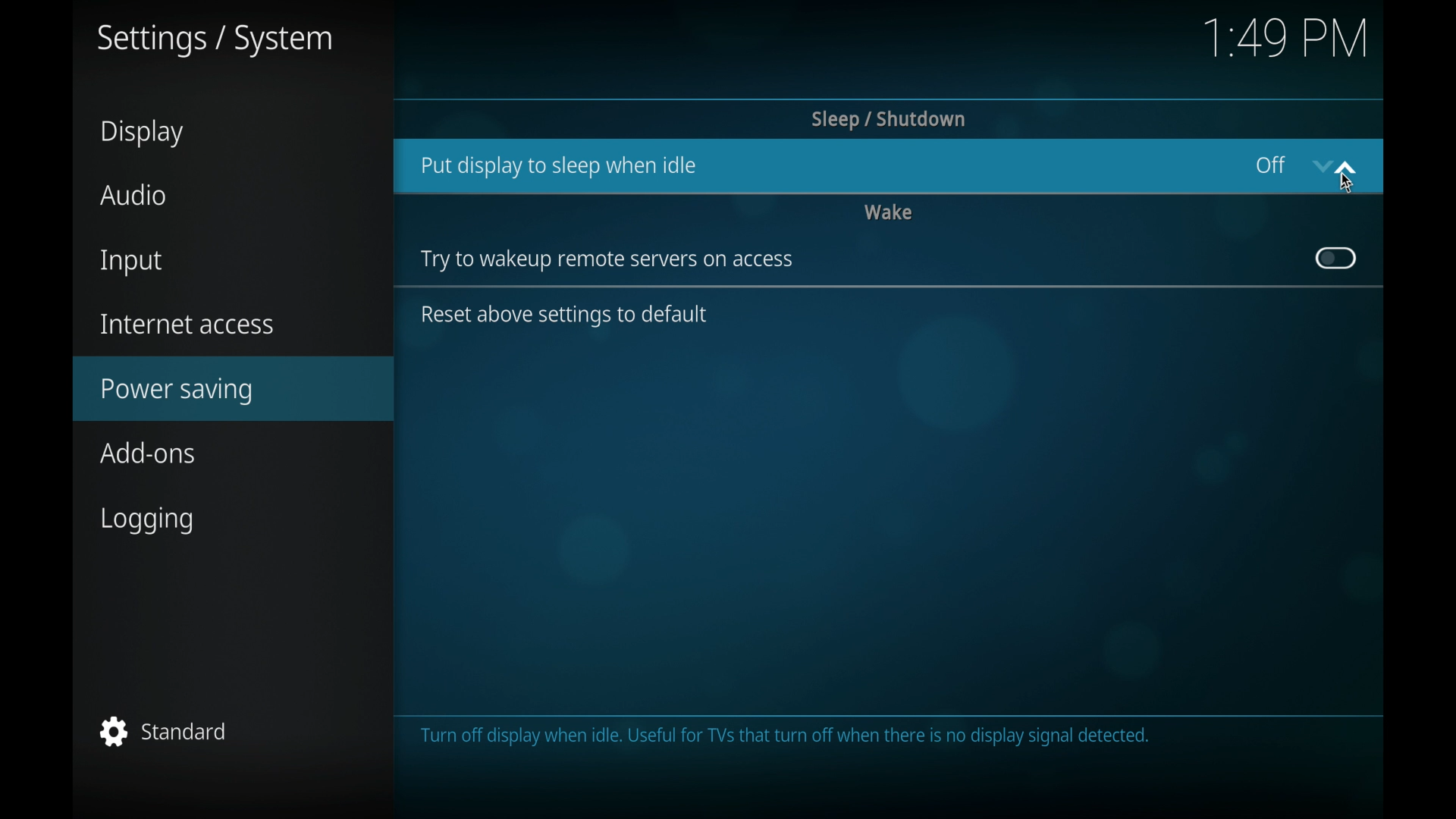  What do you see at coordinates (606, 261) in the screenshot?
I see `wake up remote servers on access` at bounding box center [606, 261].